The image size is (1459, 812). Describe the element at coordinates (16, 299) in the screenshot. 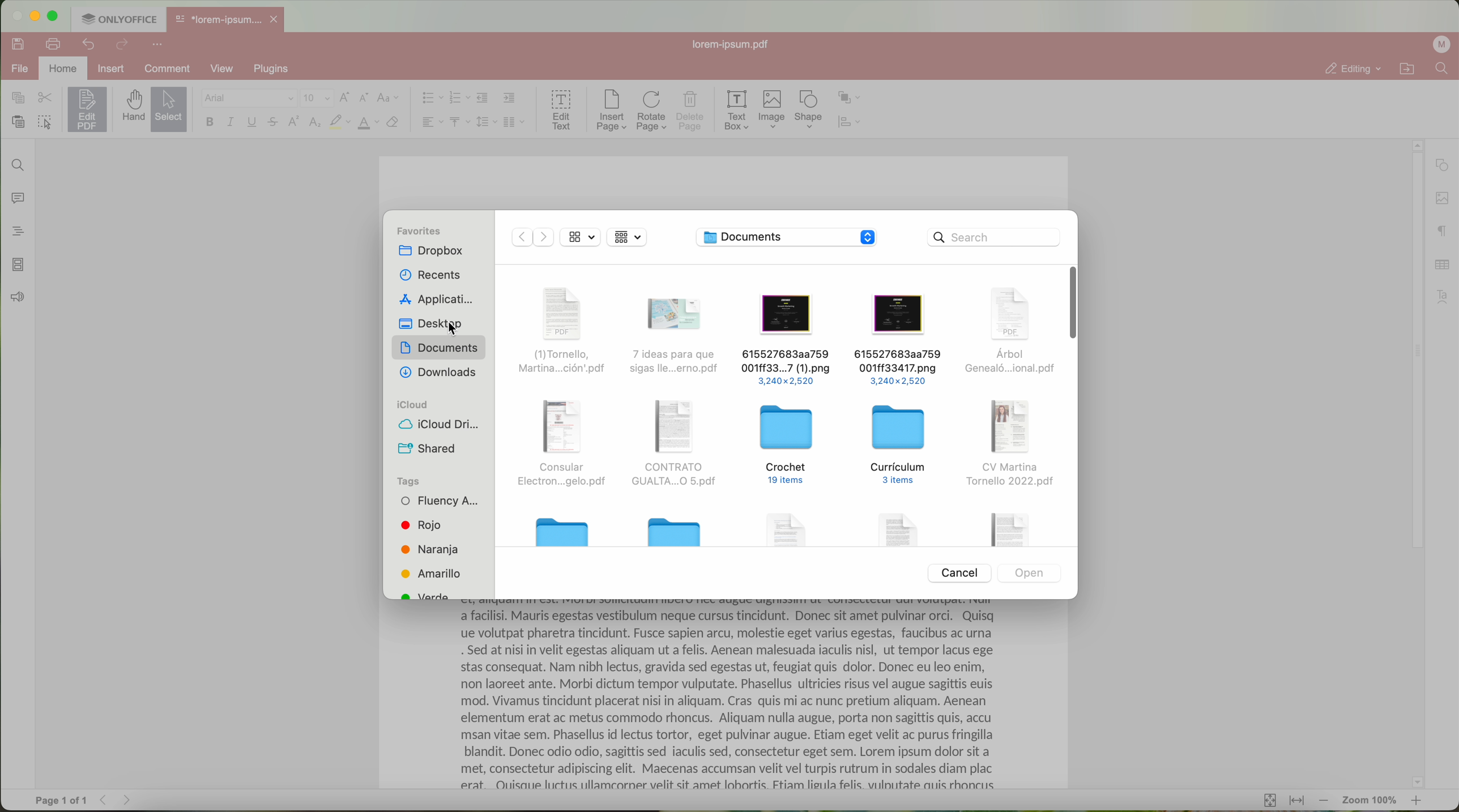

I see `feedback & support` at that location.